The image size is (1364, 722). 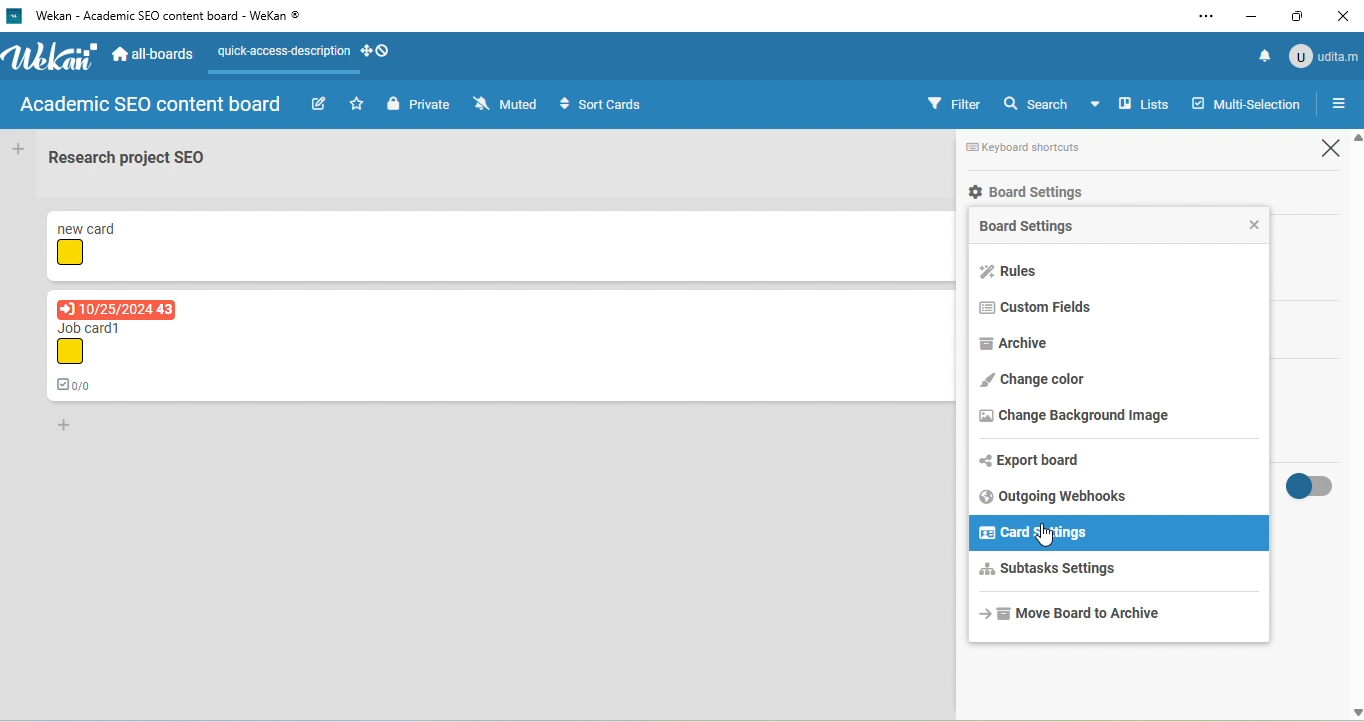 What do you see at coordinates (1204, 18) in the screenshot?
I see `settings and more` at bounding box center [1204, 18].